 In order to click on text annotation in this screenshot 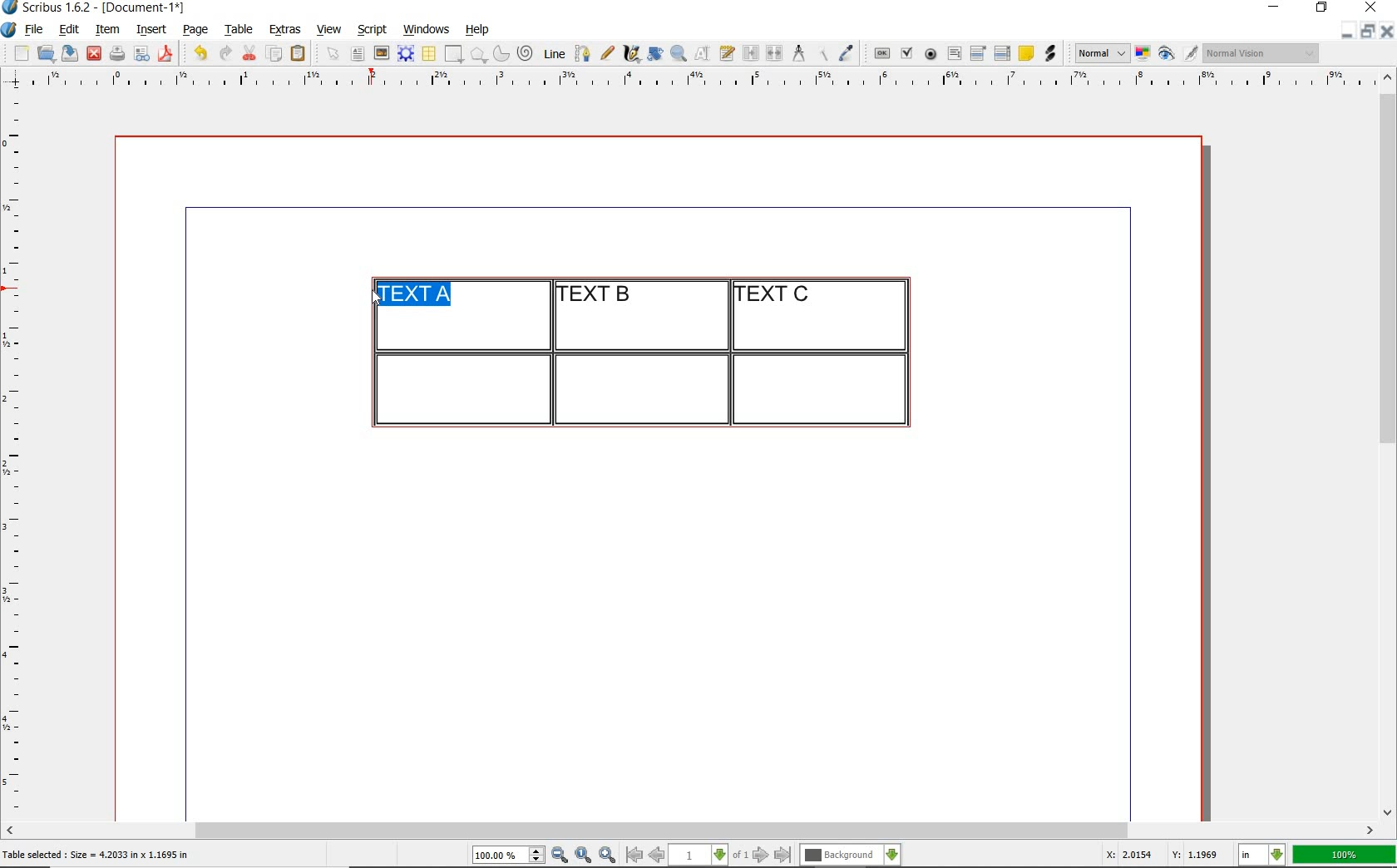, I will do `click(1025, 54)`.